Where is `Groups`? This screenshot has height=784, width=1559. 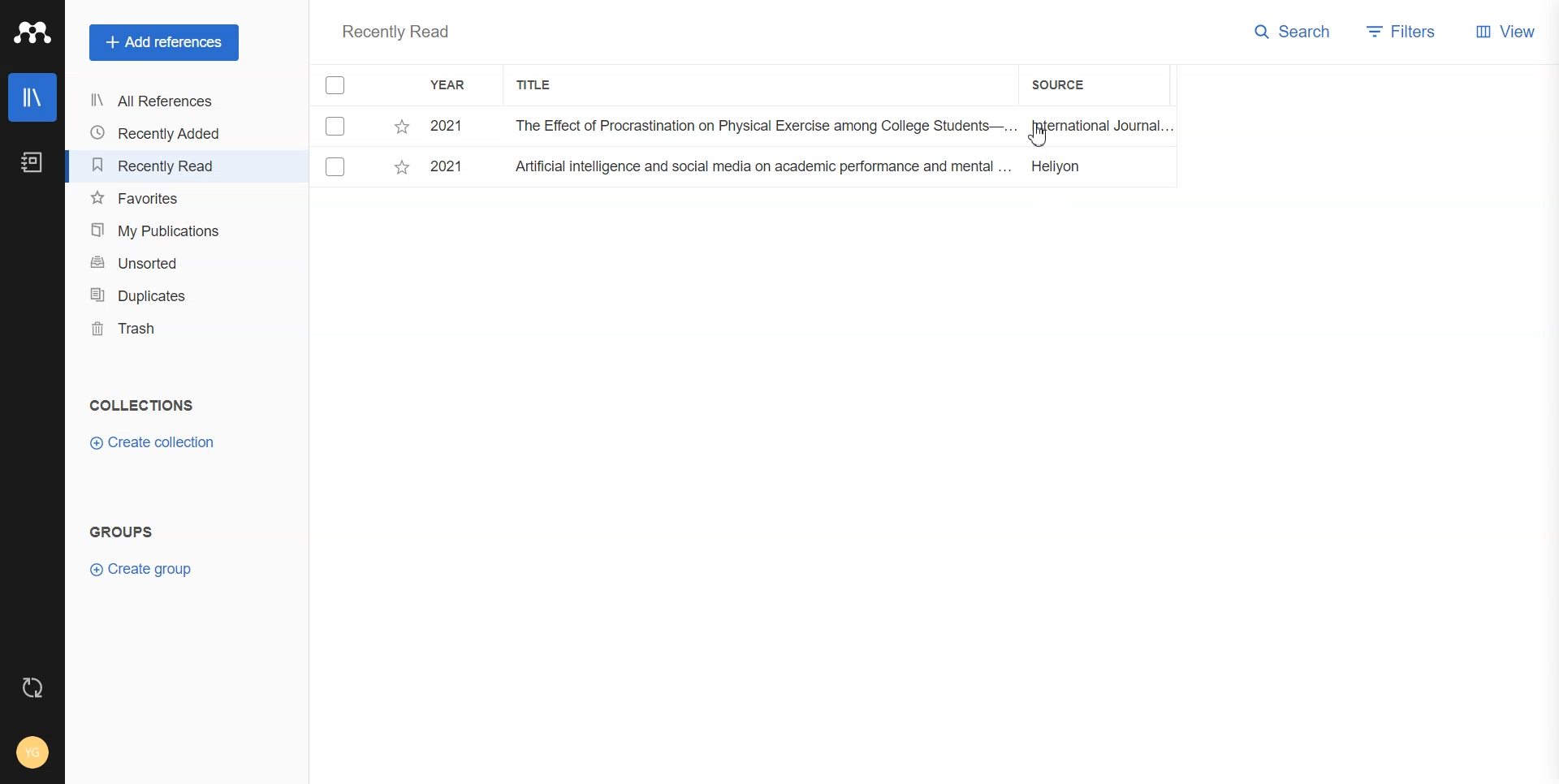 Groups is located at coordinates (126, 532).